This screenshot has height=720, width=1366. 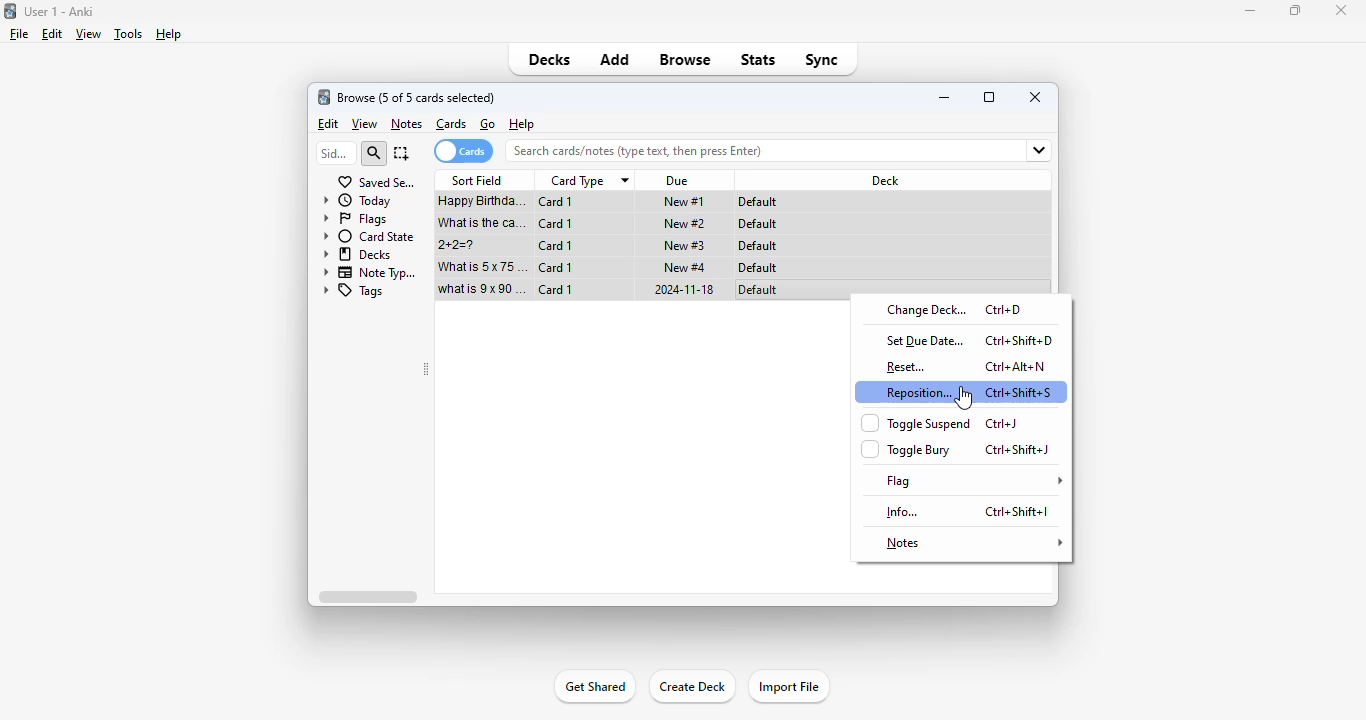 I want to click on reposition, so click(x=919, y=392).